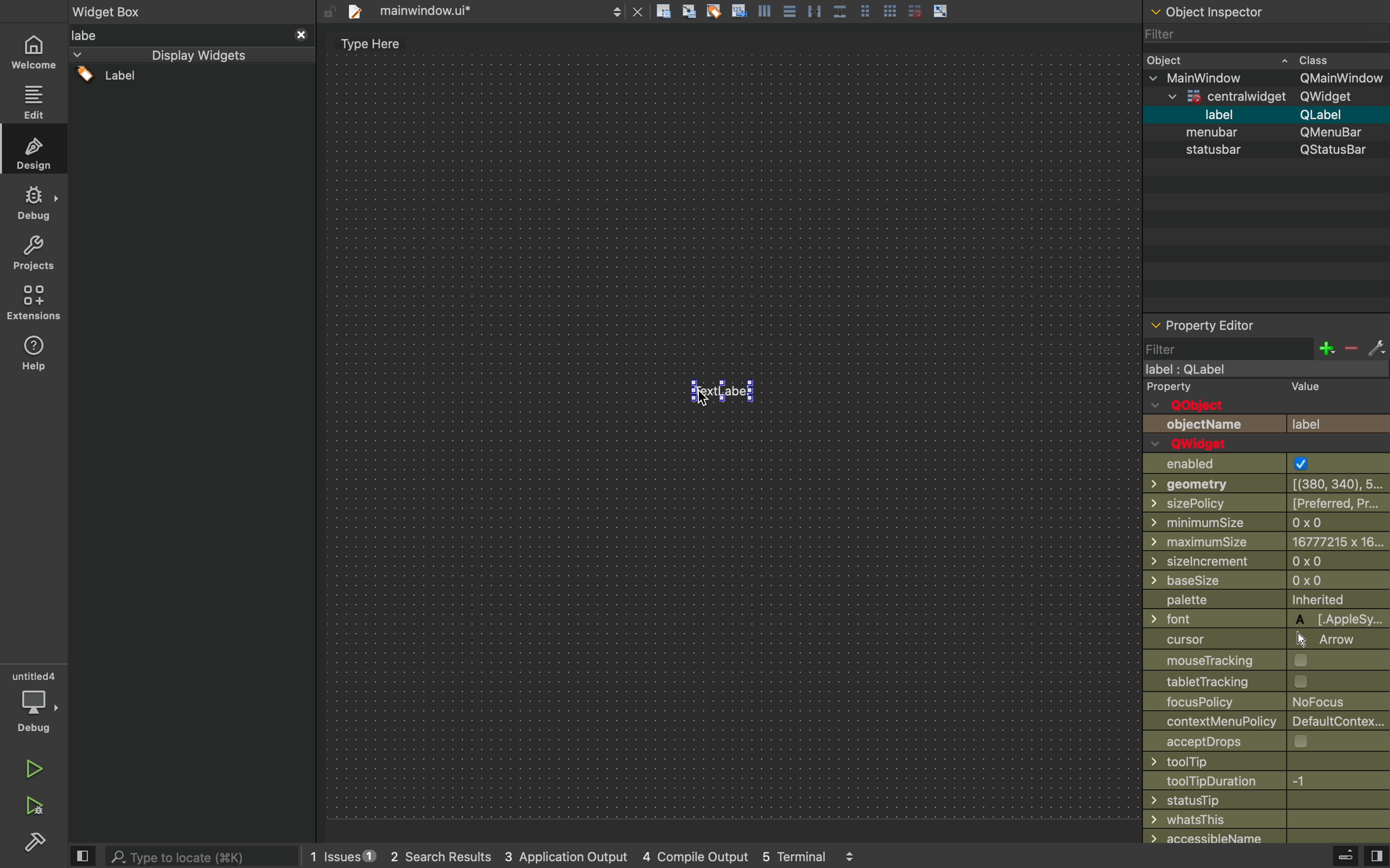 The image size is (1390, 868). What do you see at coordinates (192, 83) in the screenshot?
I see `mouse down ` at bounding box center [192, 83].